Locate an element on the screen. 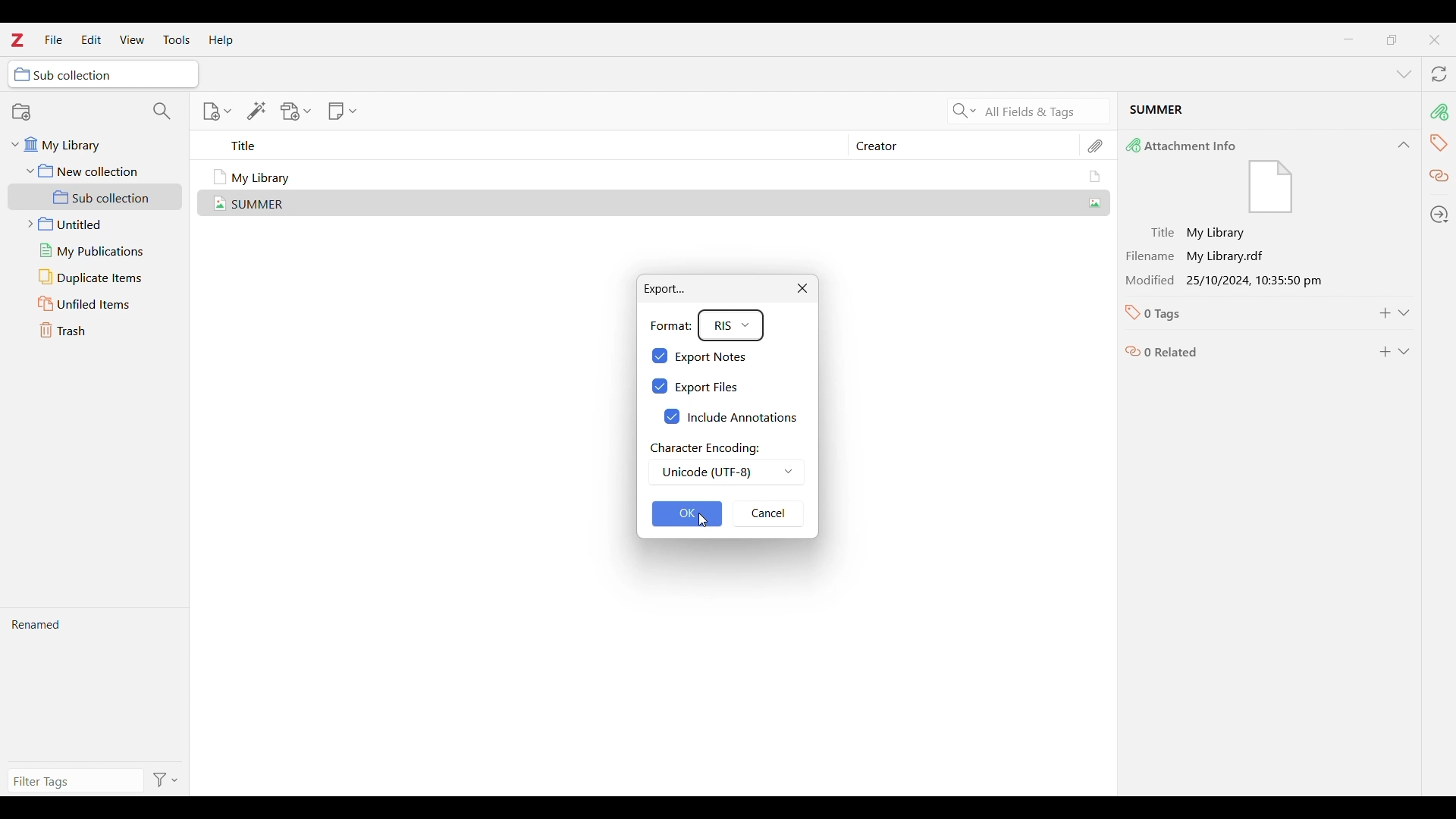 Image resolution: width=1456 pixels, height=819 pixels. Edit menu is located at coordinates (91, 39).